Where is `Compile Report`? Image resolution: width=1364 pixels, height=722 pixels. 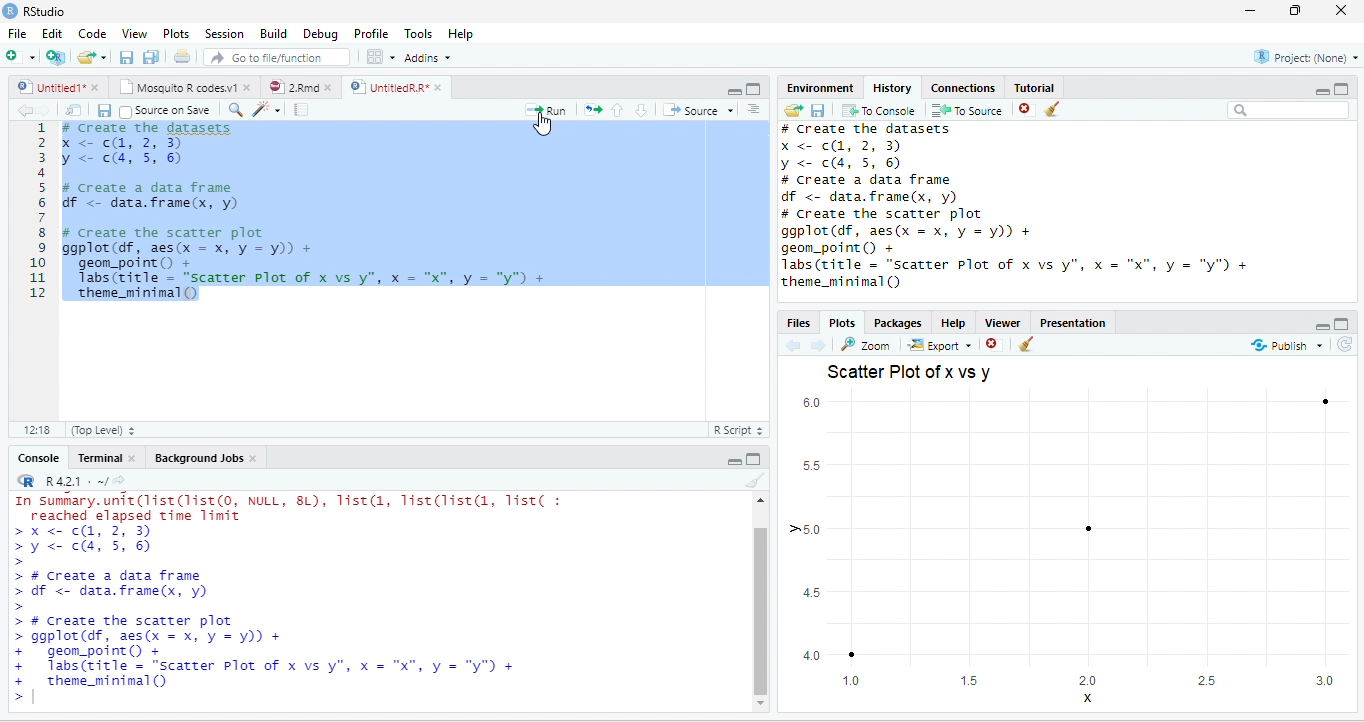
Compile Report is located at coordinates (301, 110).